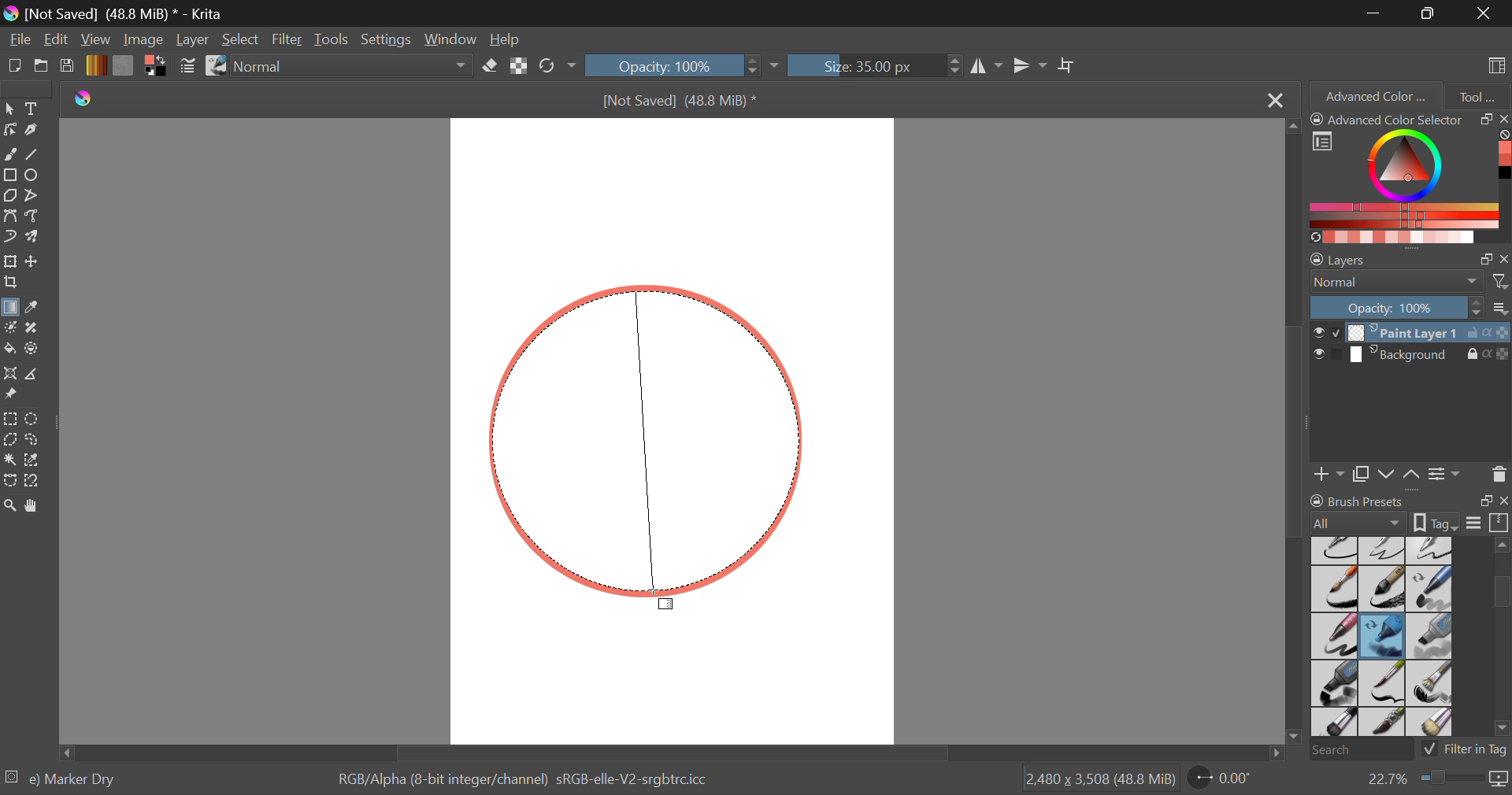 Image resolution: width=1512 pixels, height=795 pixels. What do you see at coordinates (65, 777) in the screenshot?
I see `Selected Brush Preset` at bounding box center [65, 777].